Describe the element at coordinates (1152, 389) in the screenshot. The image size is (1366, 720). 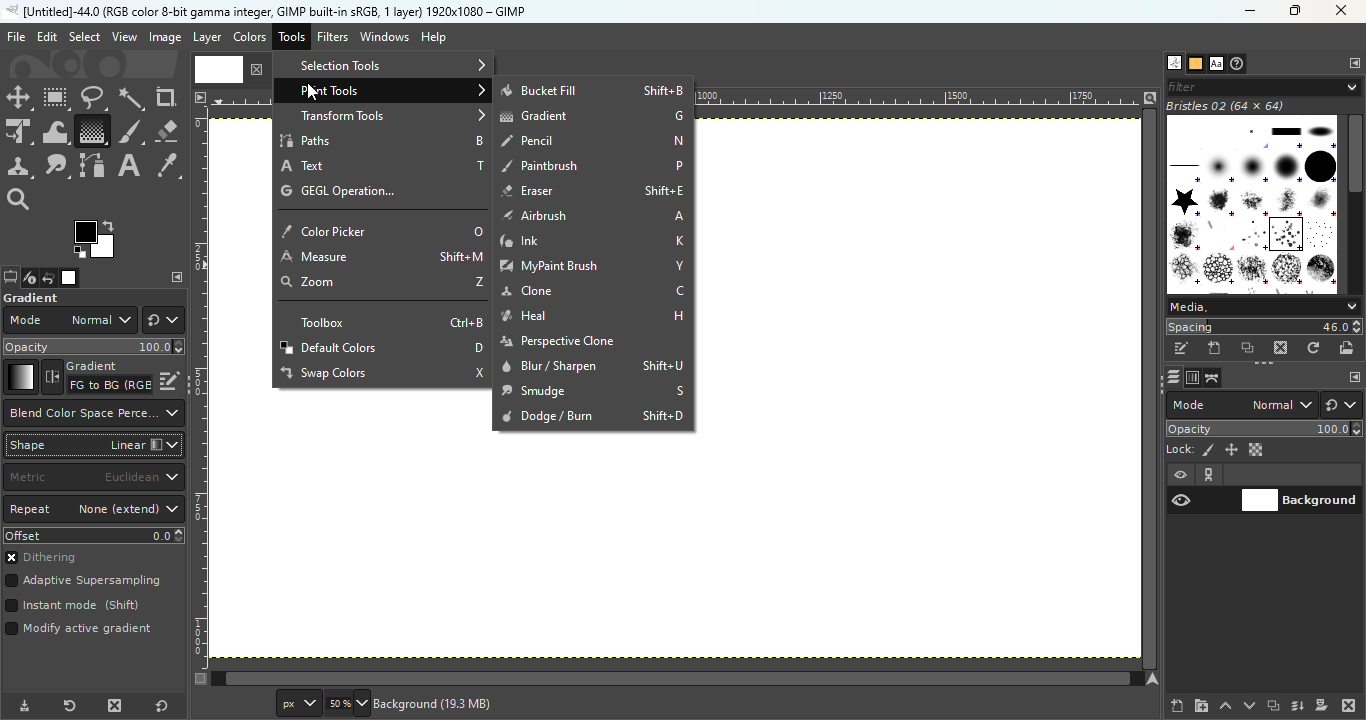
I see `Horizontal scroll bar` at that location.